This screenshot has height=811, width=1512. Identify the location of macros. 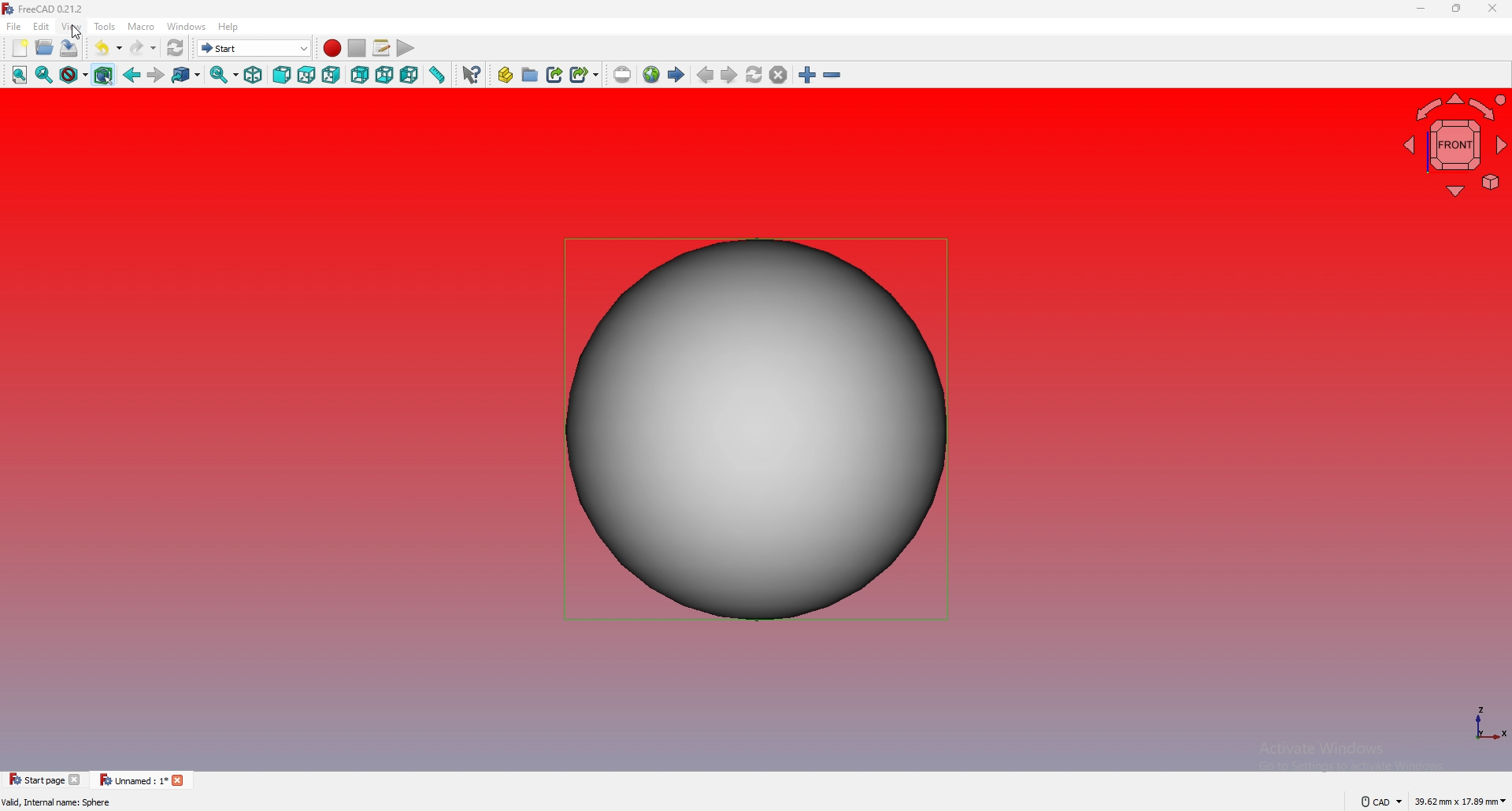
(381, 48).